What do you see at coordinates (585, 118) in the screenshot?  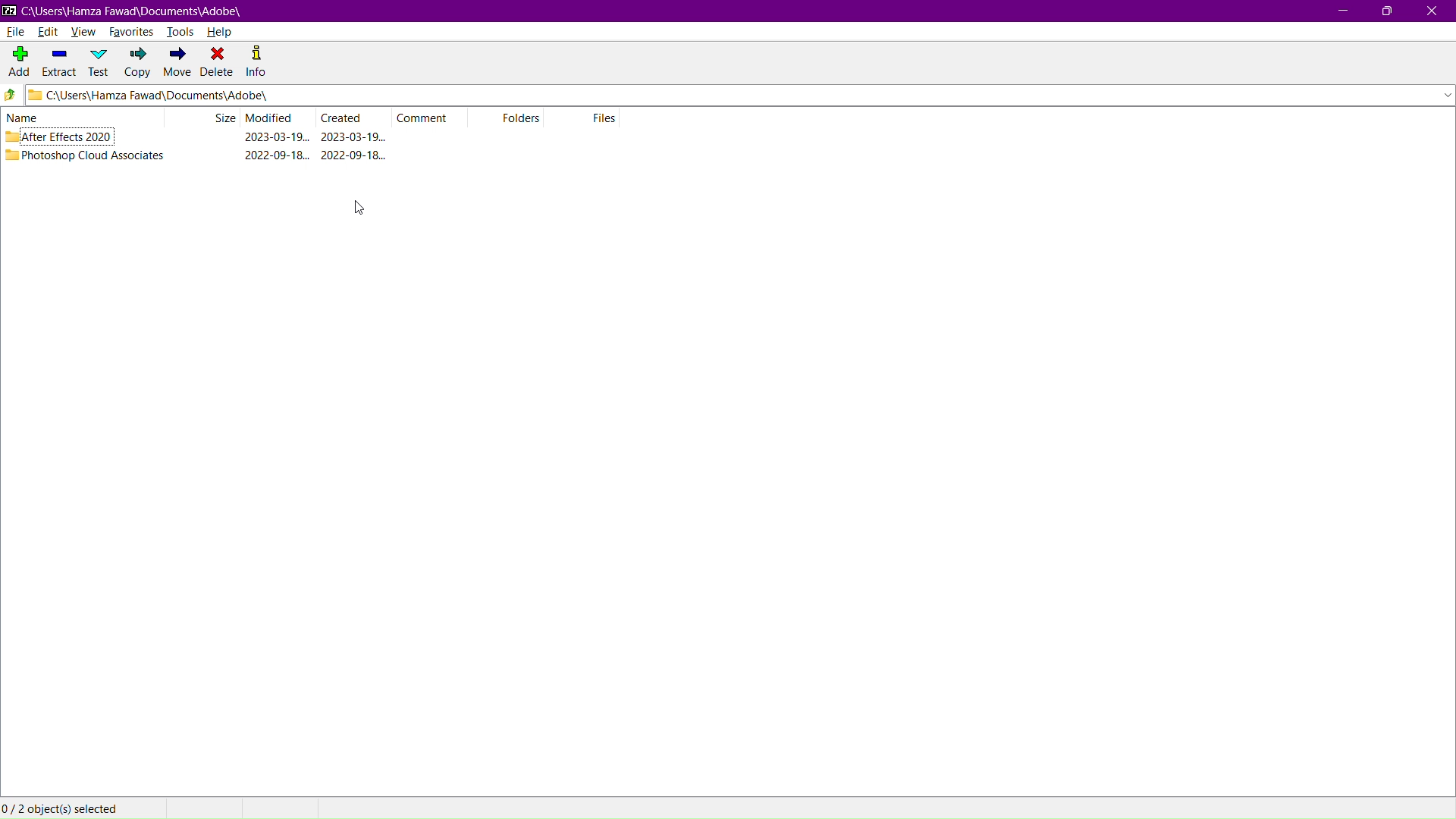 I see `Files` at bounding box center [585, 118].